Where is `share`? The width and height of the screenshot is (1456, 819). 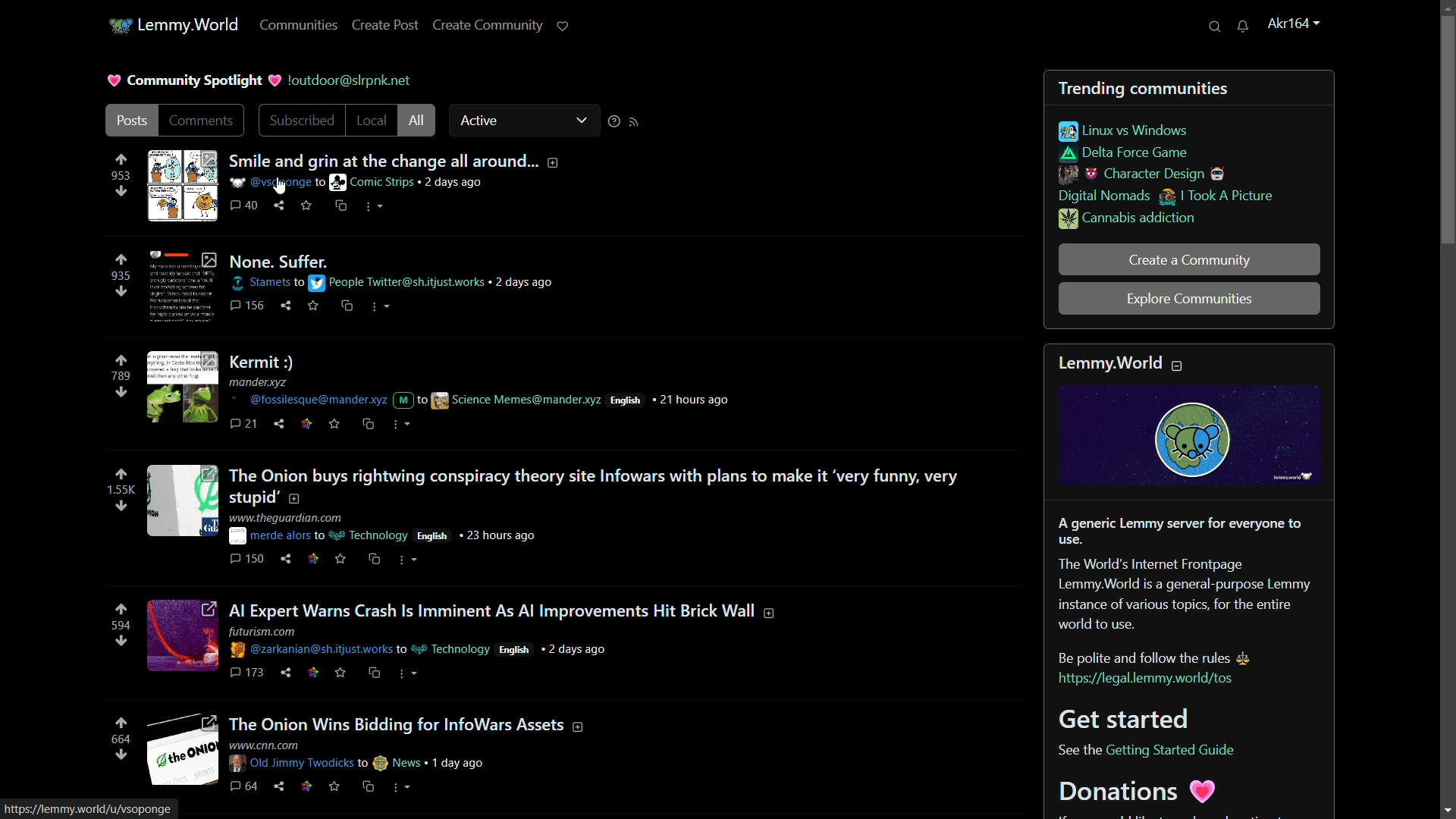
share is located at coordinates (286, 673).